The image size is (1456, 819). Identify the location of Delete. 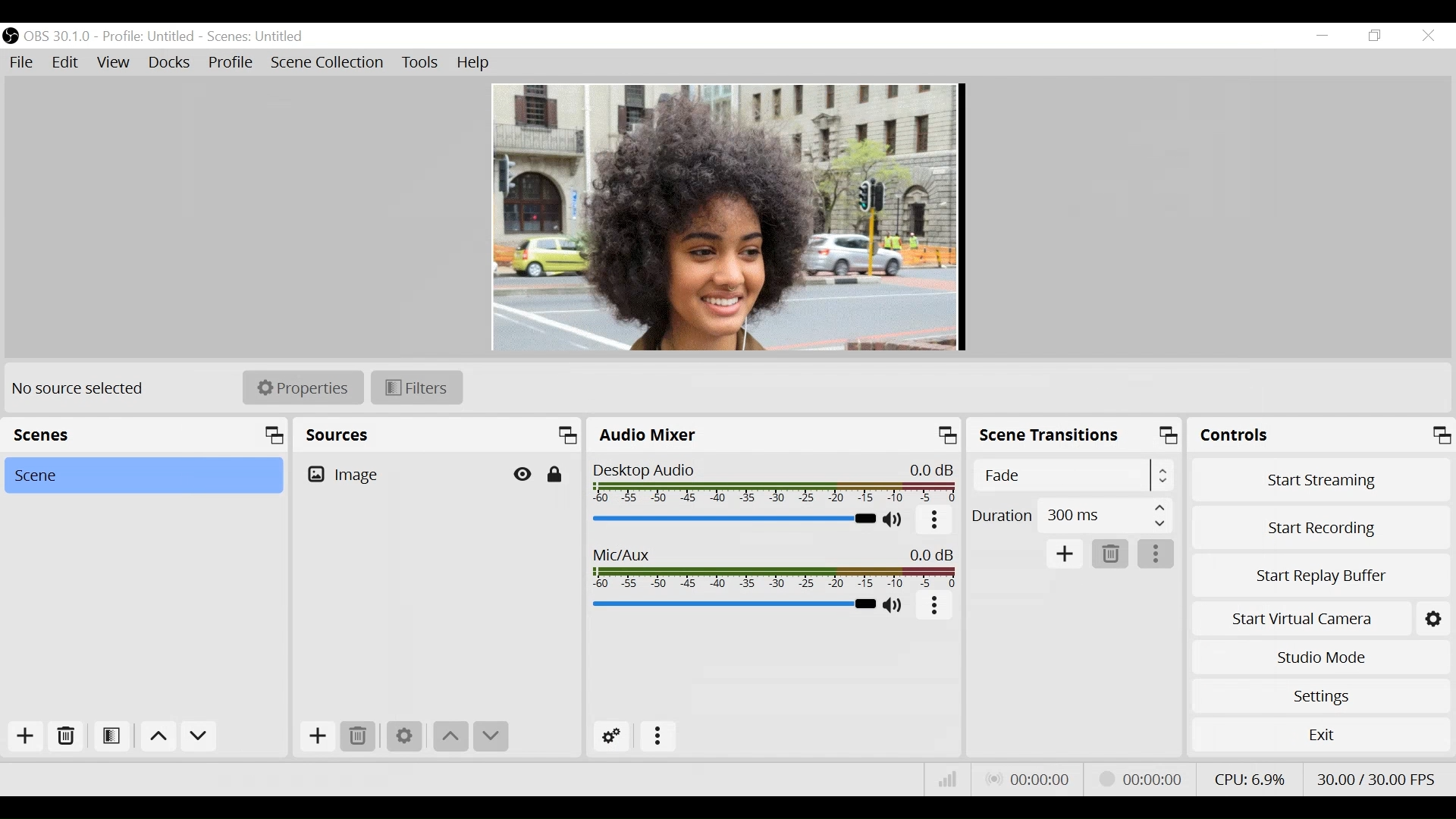
(359, 739).